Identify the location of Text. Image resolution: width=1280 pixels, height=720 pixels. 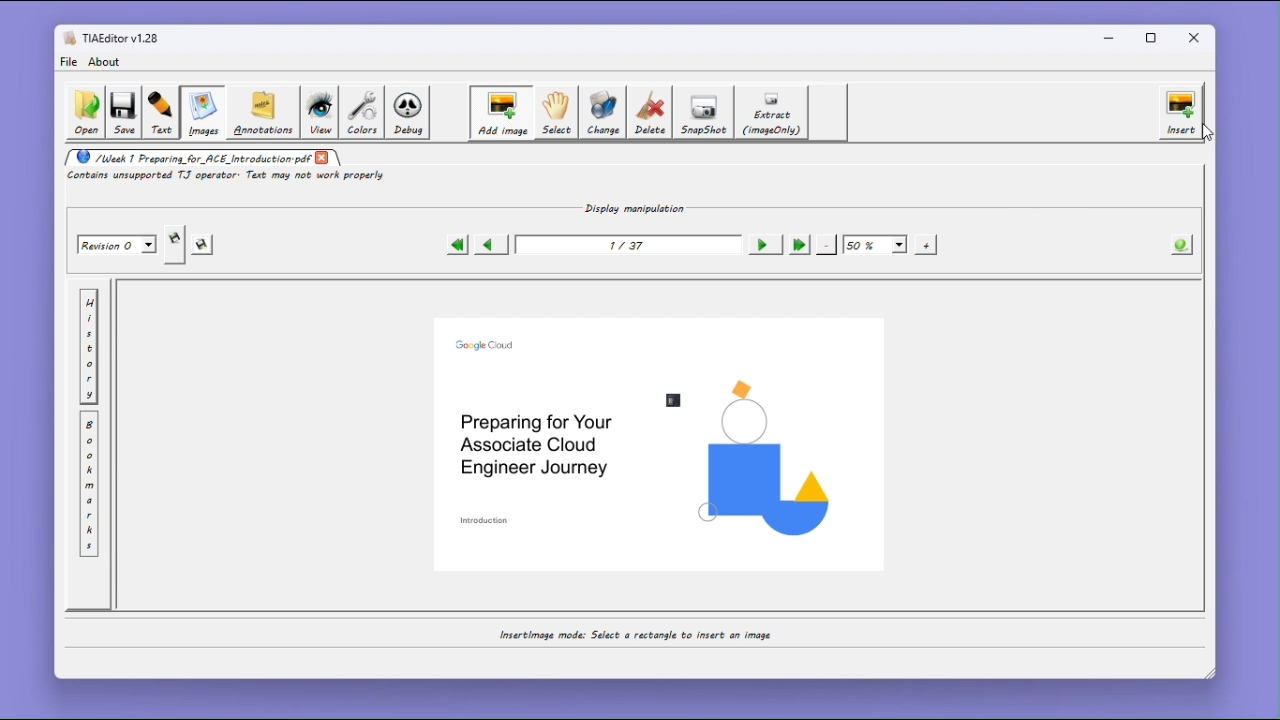
(161, 113).